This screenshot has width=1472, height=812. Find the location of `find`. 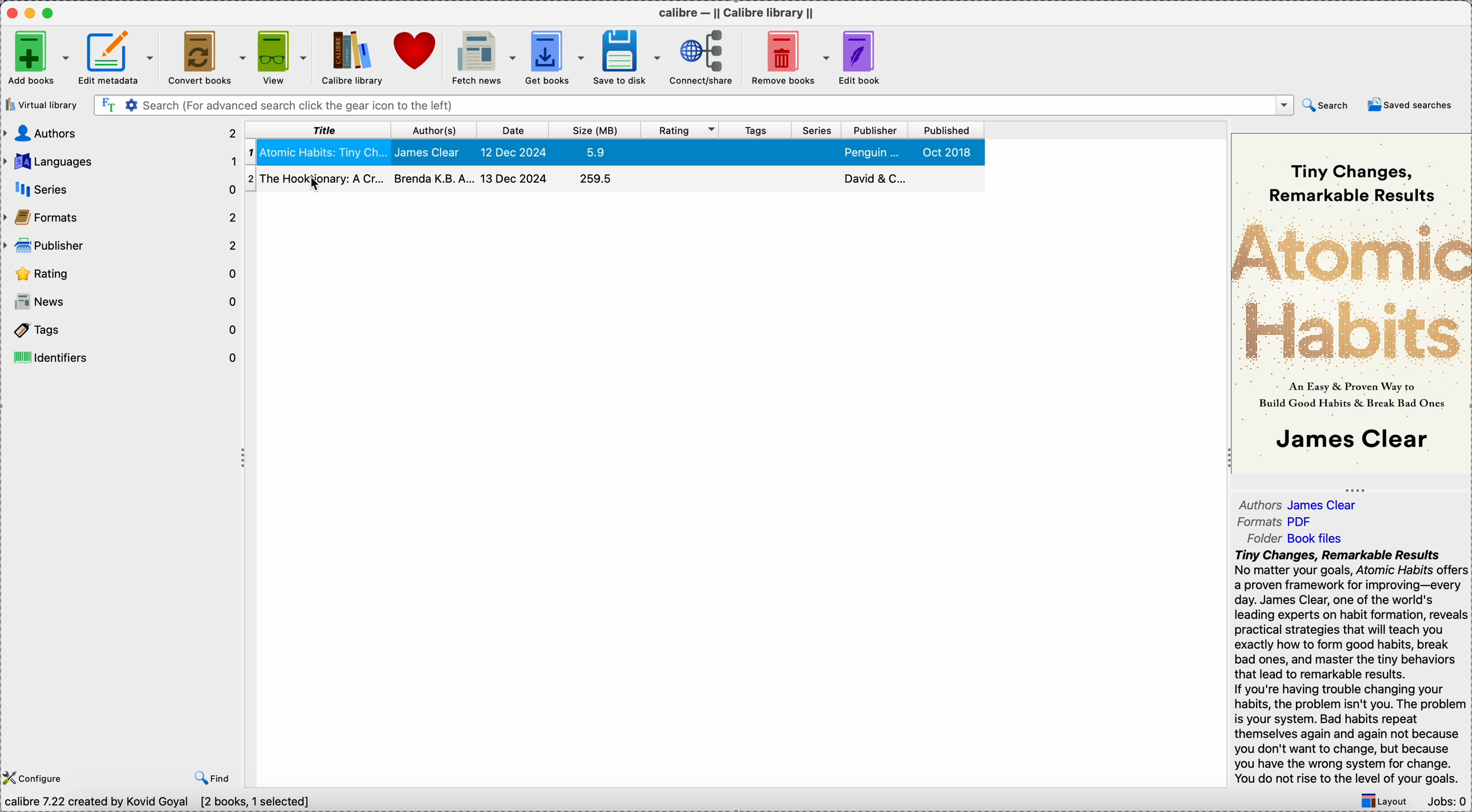

find is located at coordinates (213, 776).